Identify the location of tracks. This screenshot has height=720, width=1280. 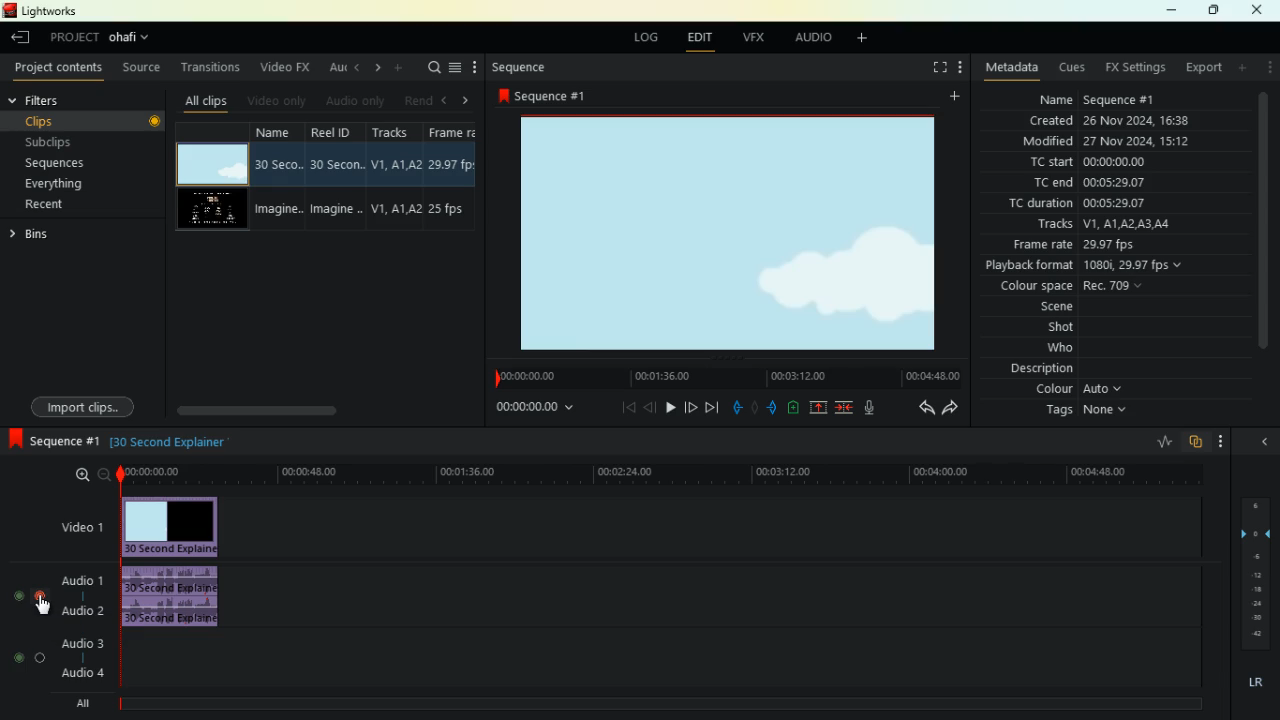
(395, 179).